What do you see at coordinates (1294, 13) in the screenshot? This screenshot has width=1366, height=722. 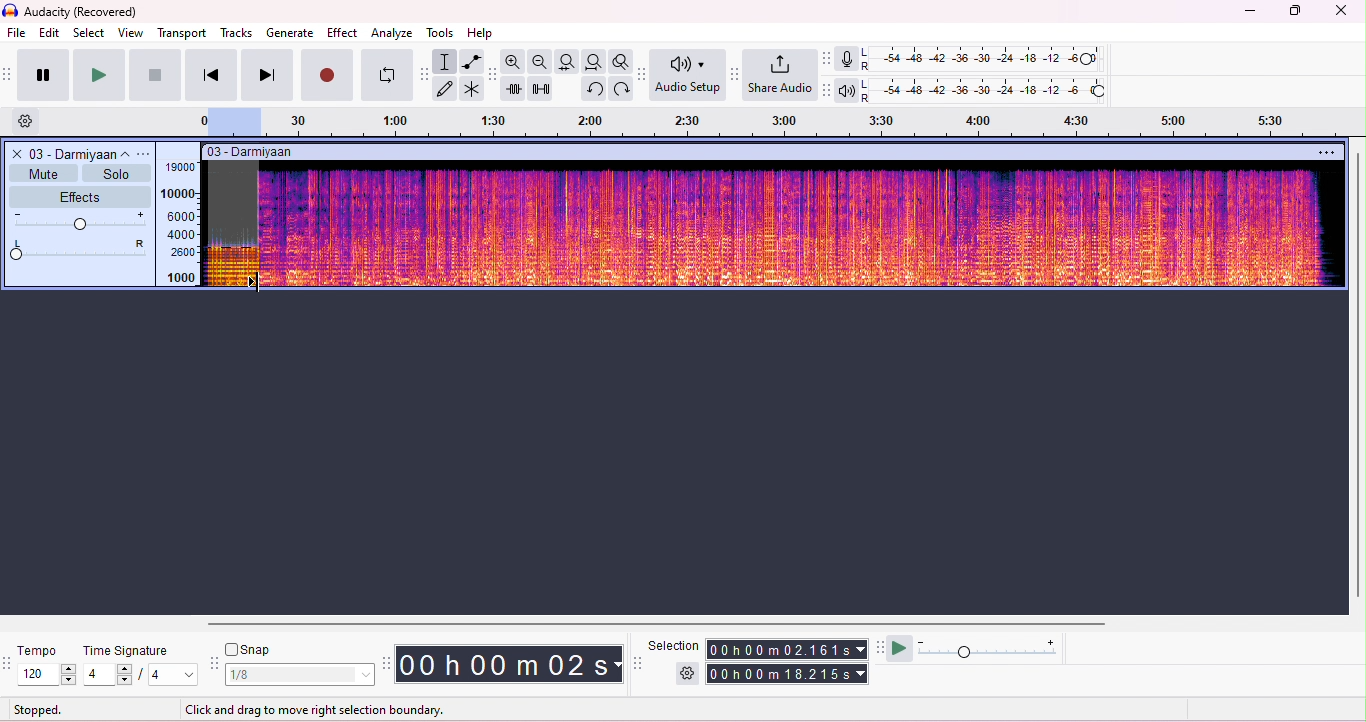 I see `maximize` at bounding box center [1294, 13].